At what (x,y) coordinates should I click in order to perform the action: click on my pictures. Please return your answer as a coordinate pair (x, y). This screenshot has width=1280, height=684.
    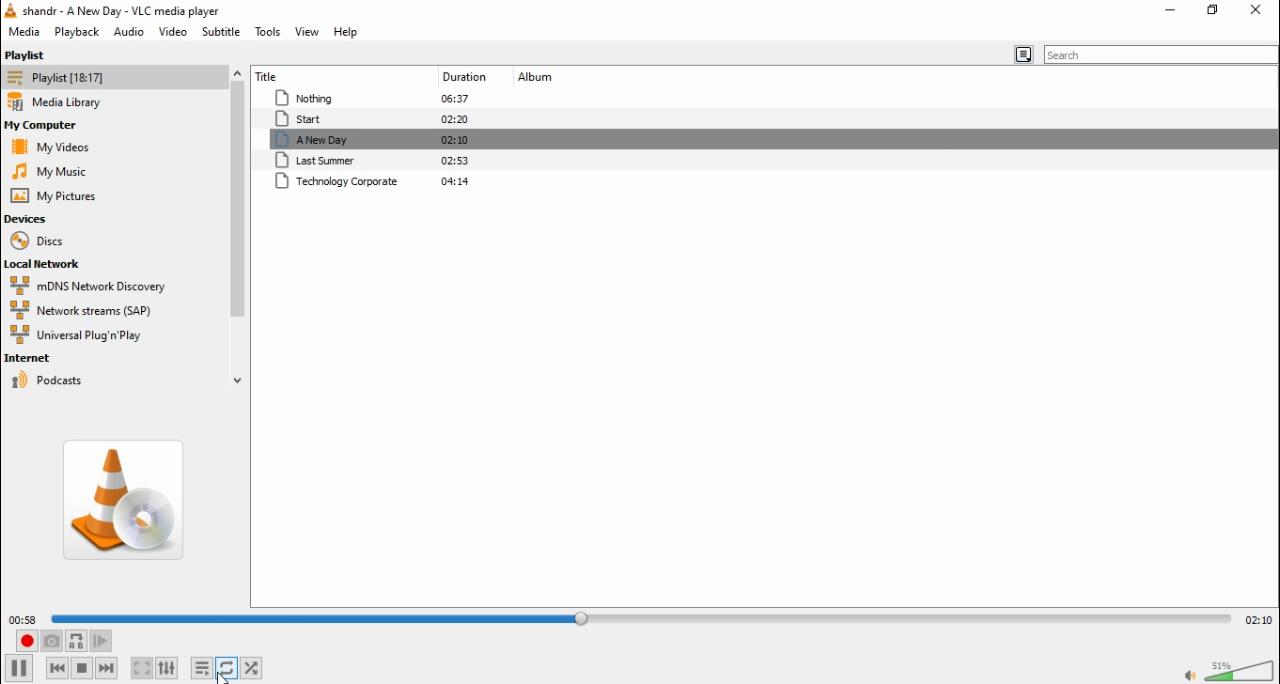
    Looking at the image, I should click on (55, 196).